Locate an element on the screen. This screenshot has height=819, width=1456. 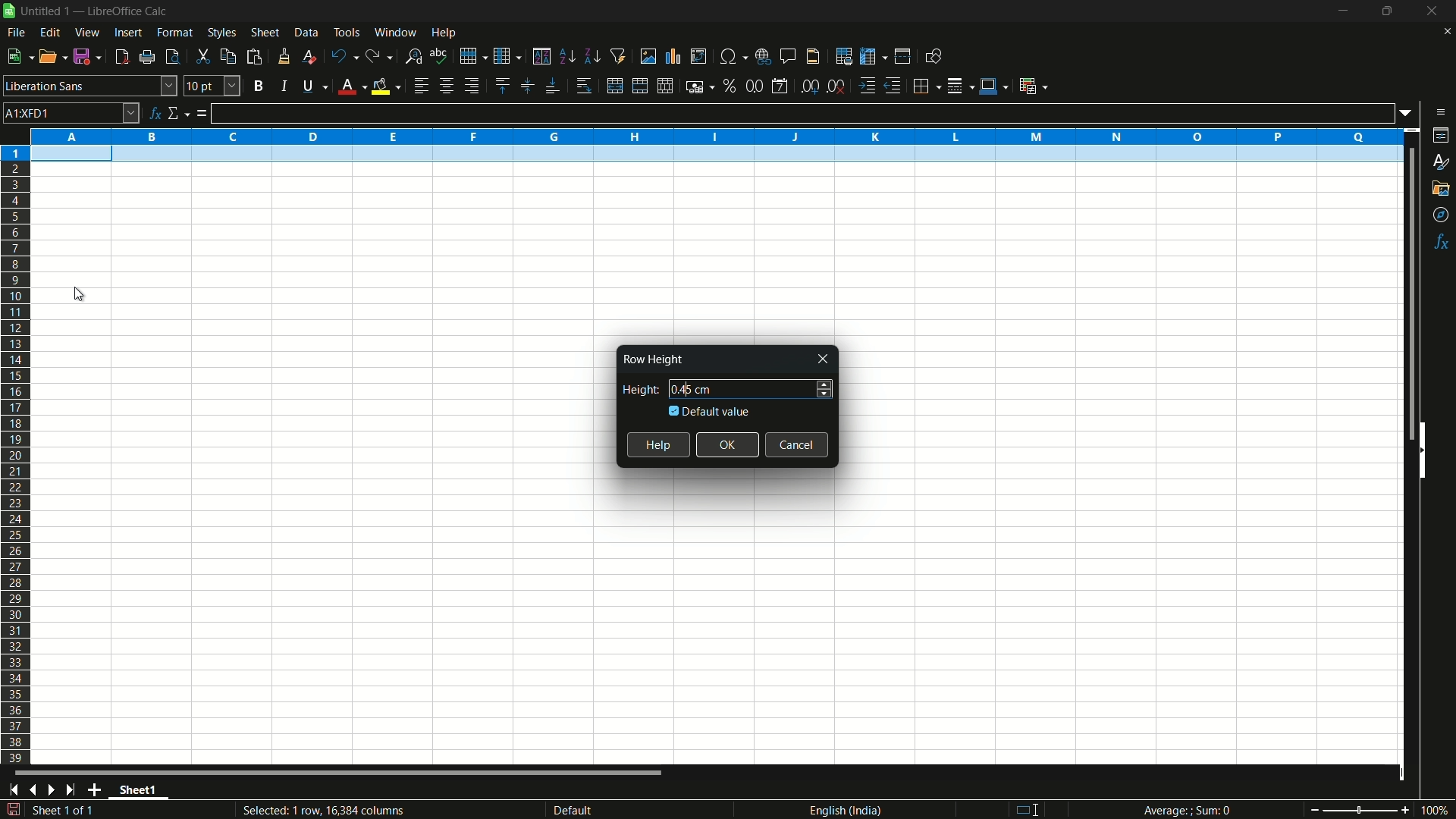
align right is located at coordinates (470, 86).